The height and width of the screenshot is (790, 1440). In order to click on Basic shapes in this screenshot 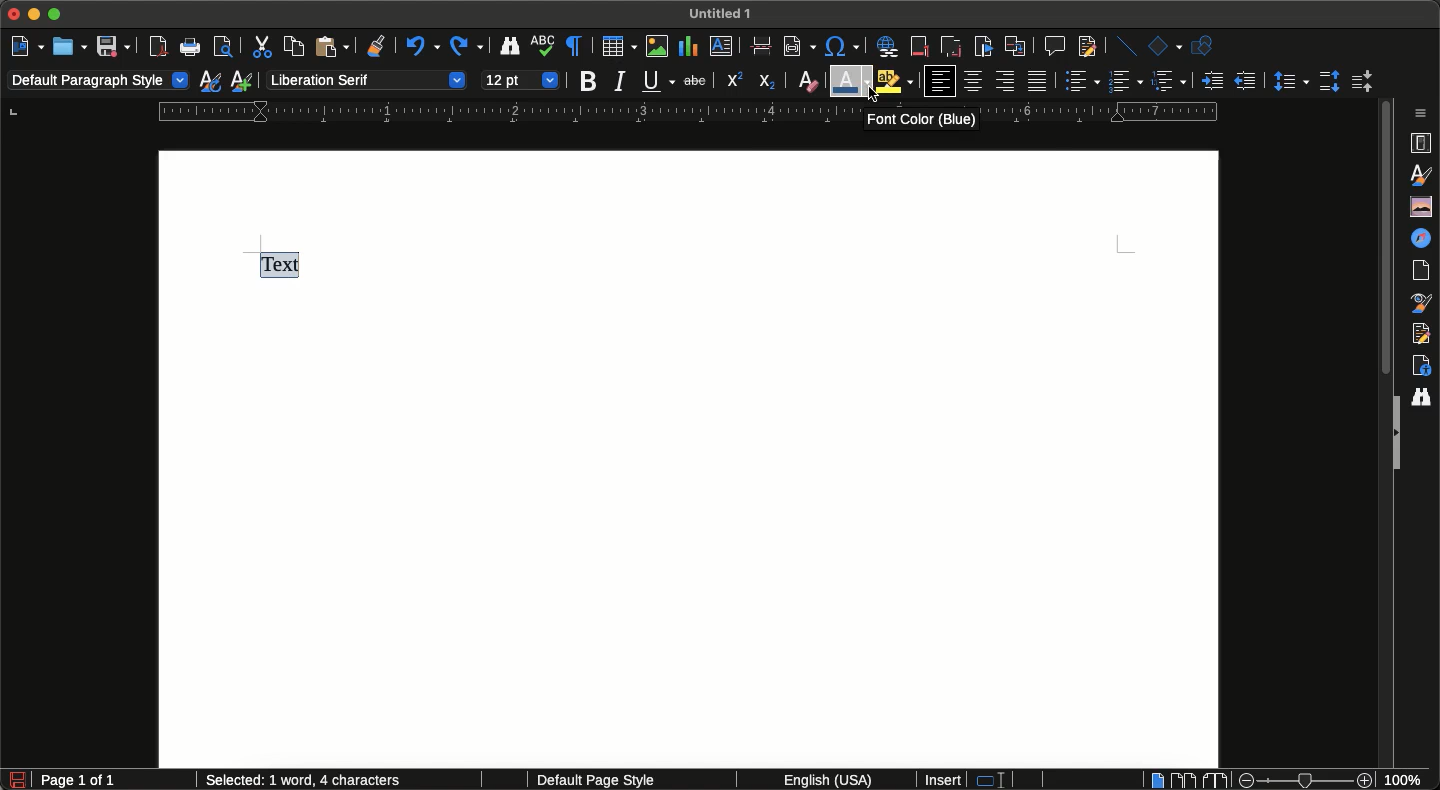, I will do `click(1164, 46)`.